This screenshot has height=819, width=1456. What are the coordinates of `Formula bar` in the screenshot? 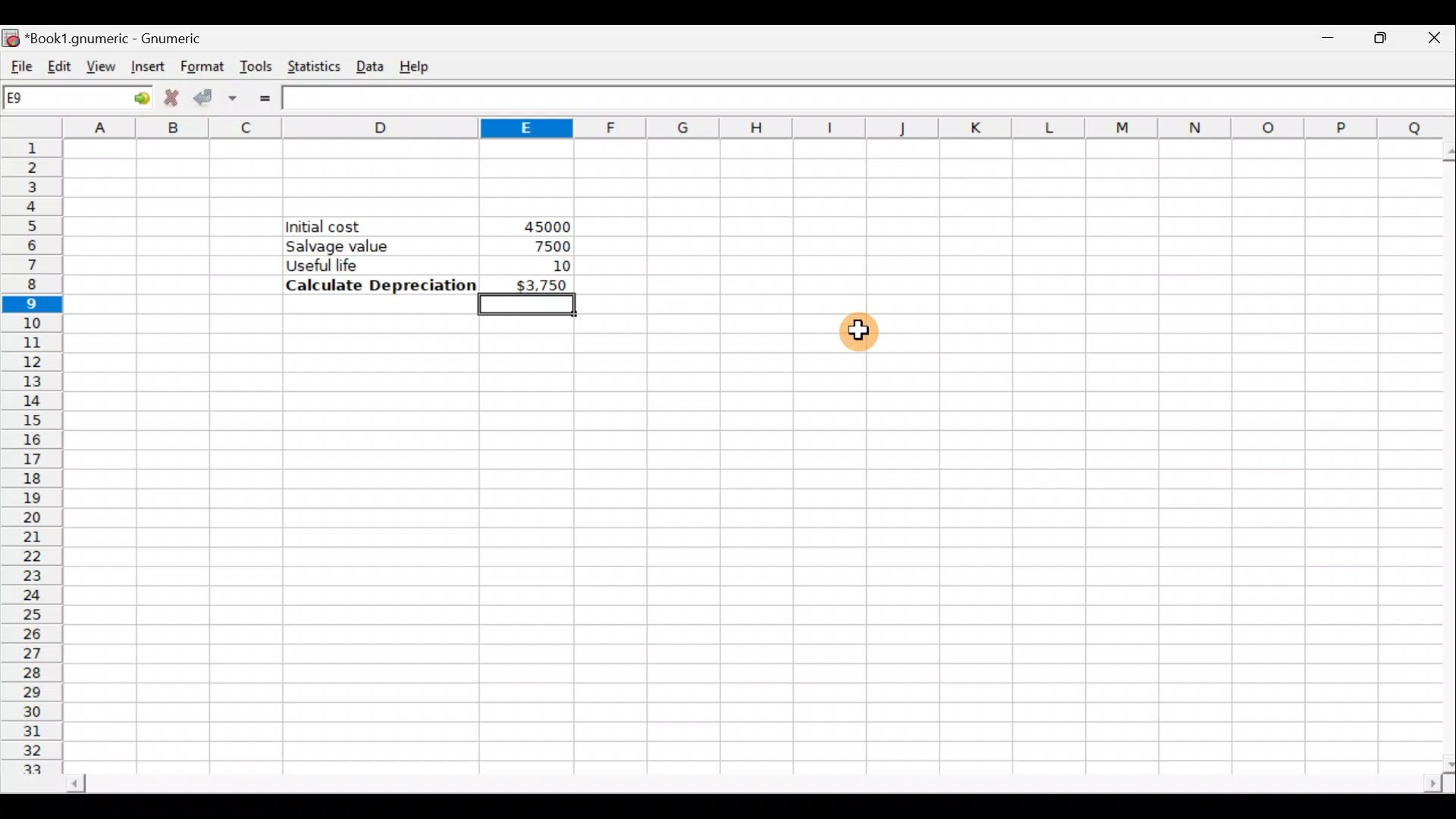 It's located at (872, 100).